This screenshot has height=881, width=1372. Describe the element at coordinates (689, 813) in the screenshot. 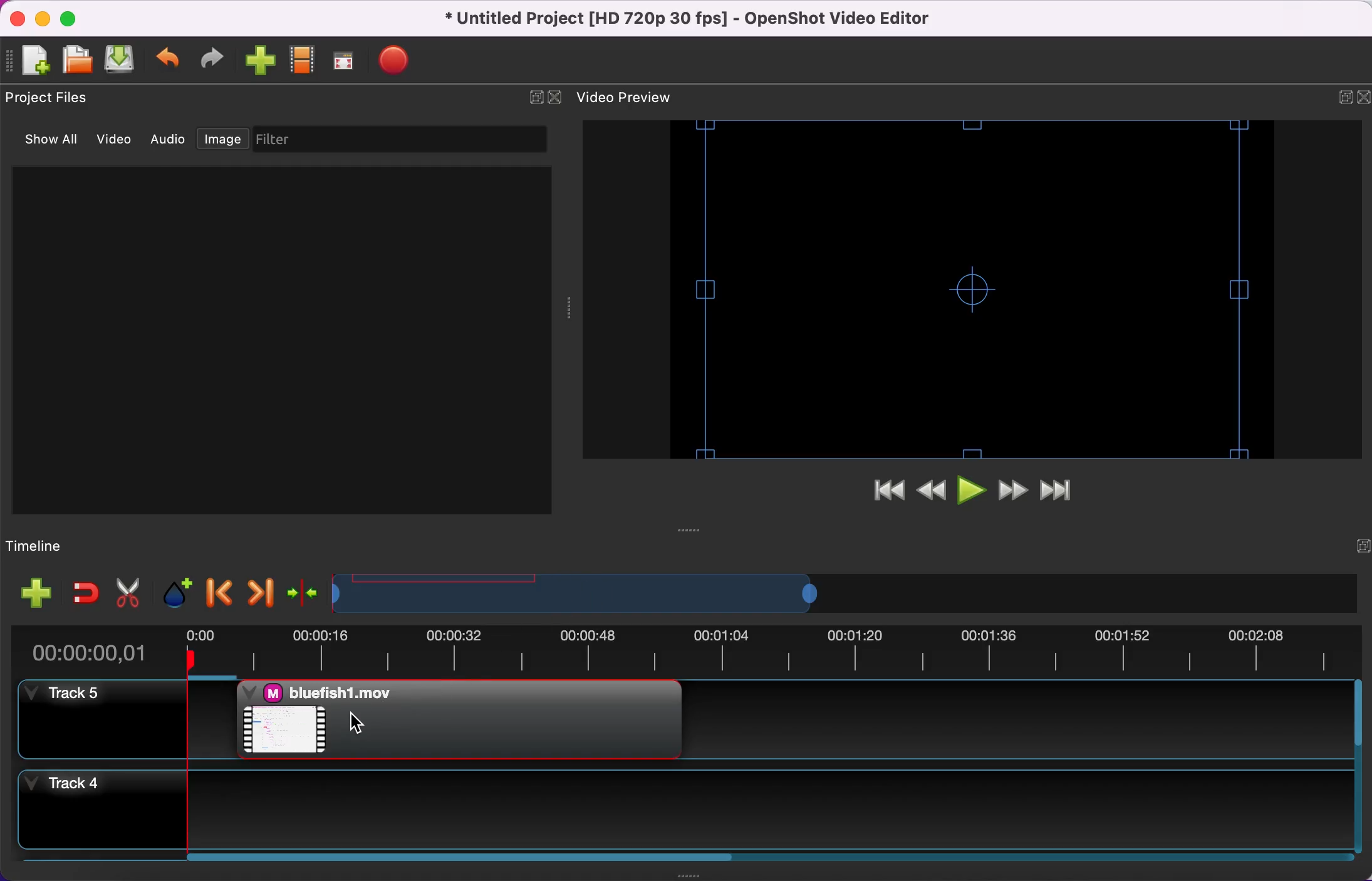

I see `track 4` at that location.